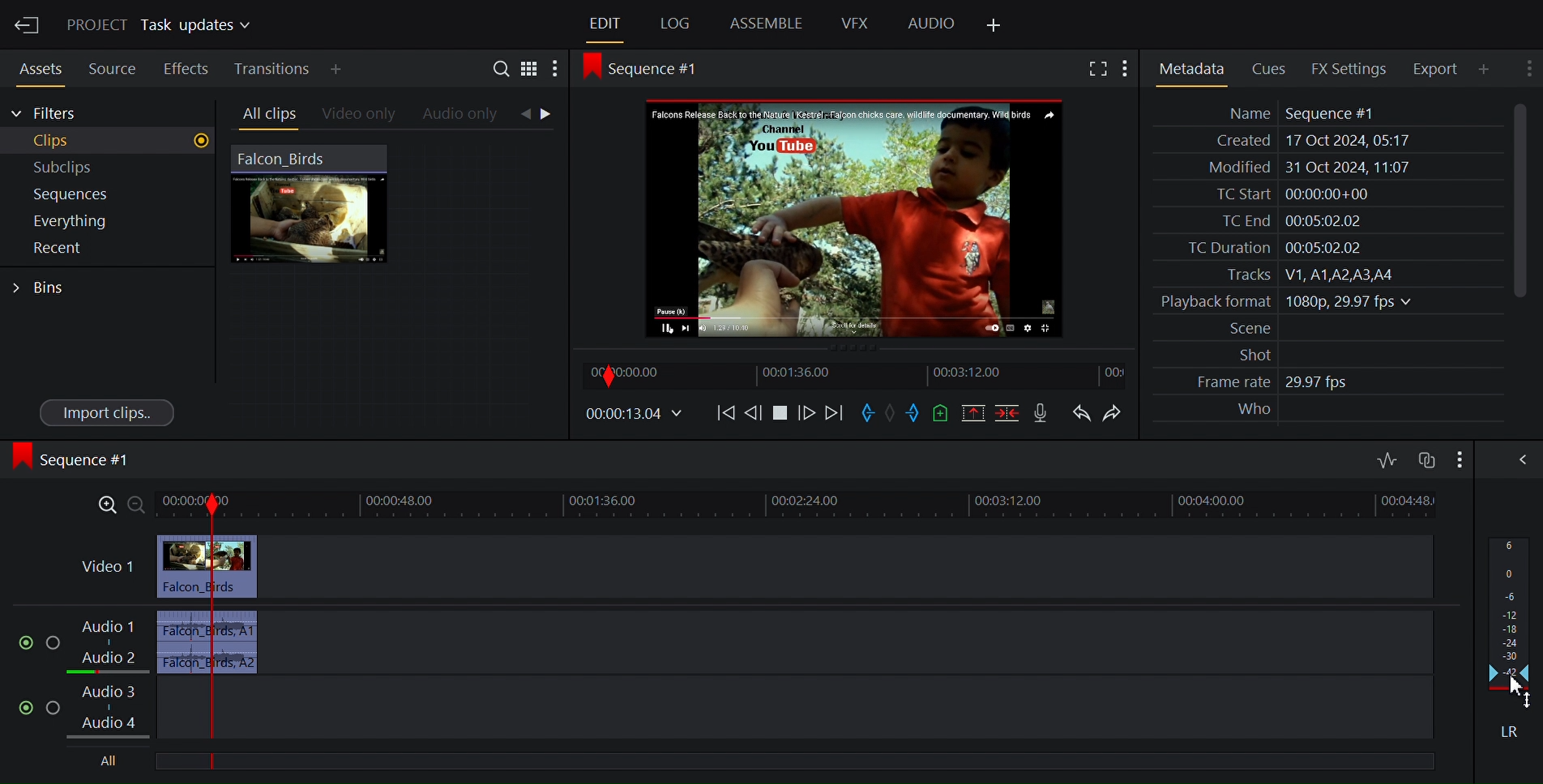 This screenshot has height=784, width=1543. What do you see at coordinates (1082, 411) in the screenshot?
I see `Undo ` at bounding box center [1082, 411].